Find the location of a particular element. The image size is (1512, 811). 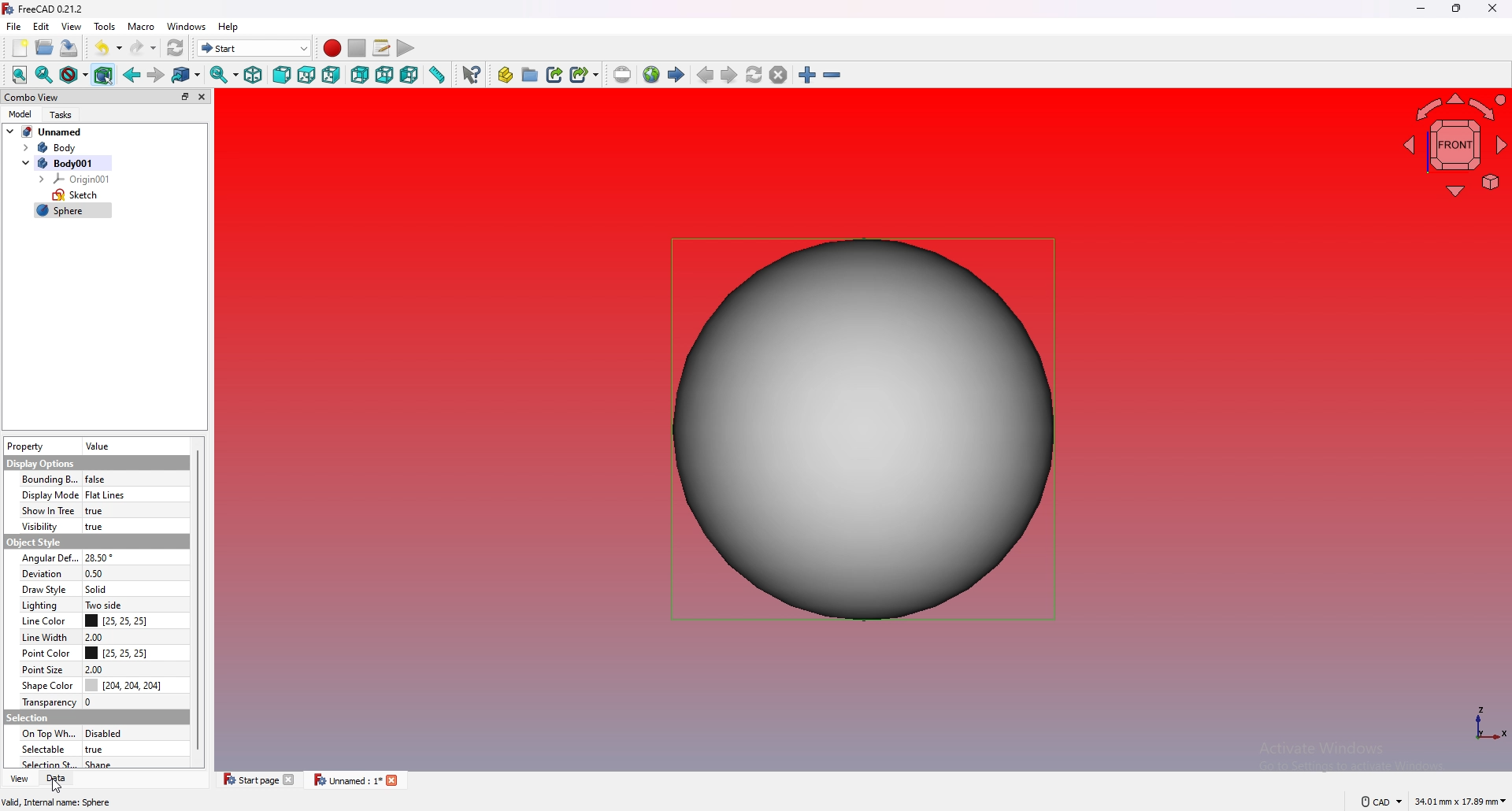

cursor is located at coordinates (57, 787).